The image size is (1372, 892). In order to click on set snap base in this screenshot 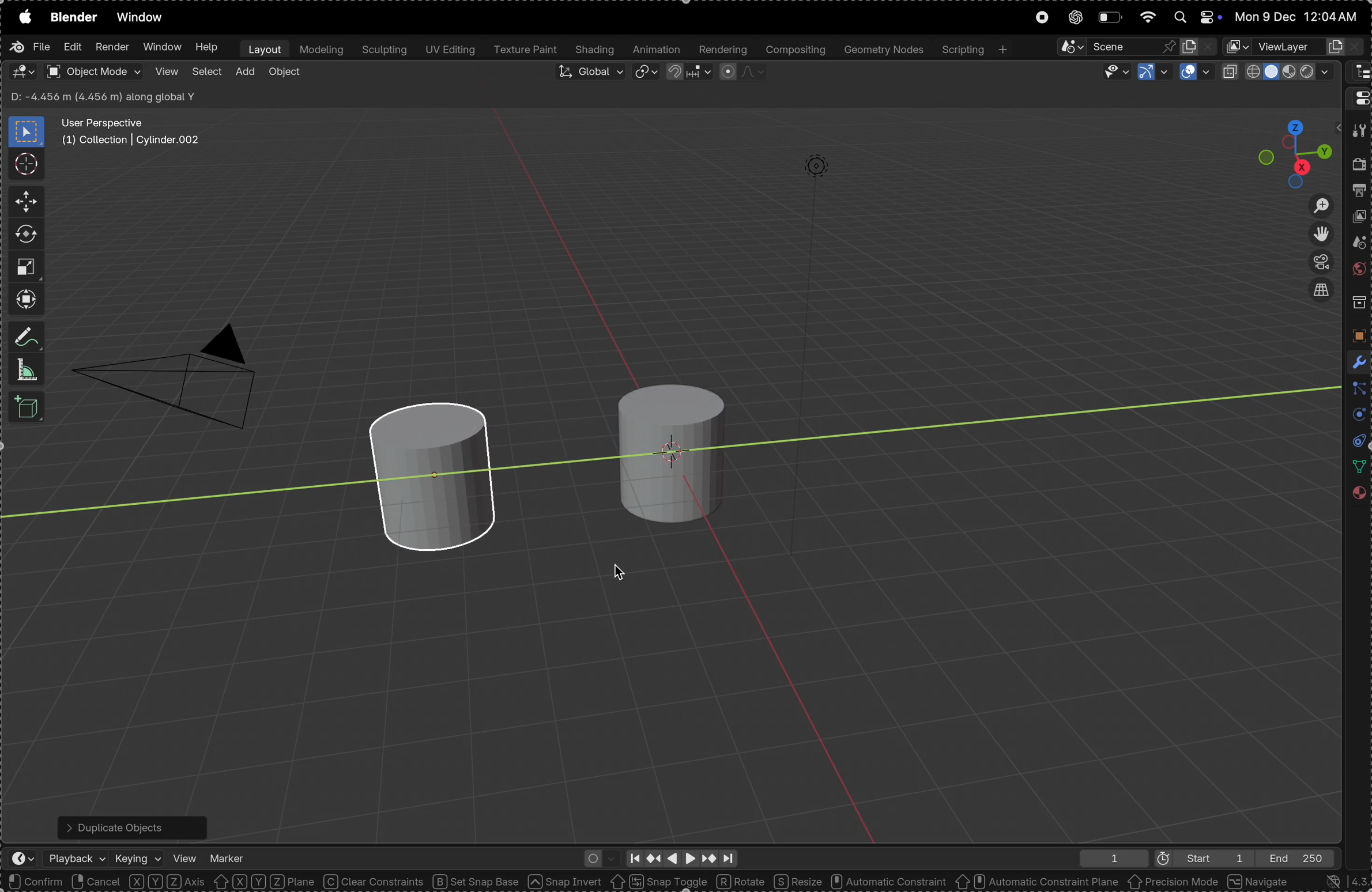, I will do `click(480, 882)`.